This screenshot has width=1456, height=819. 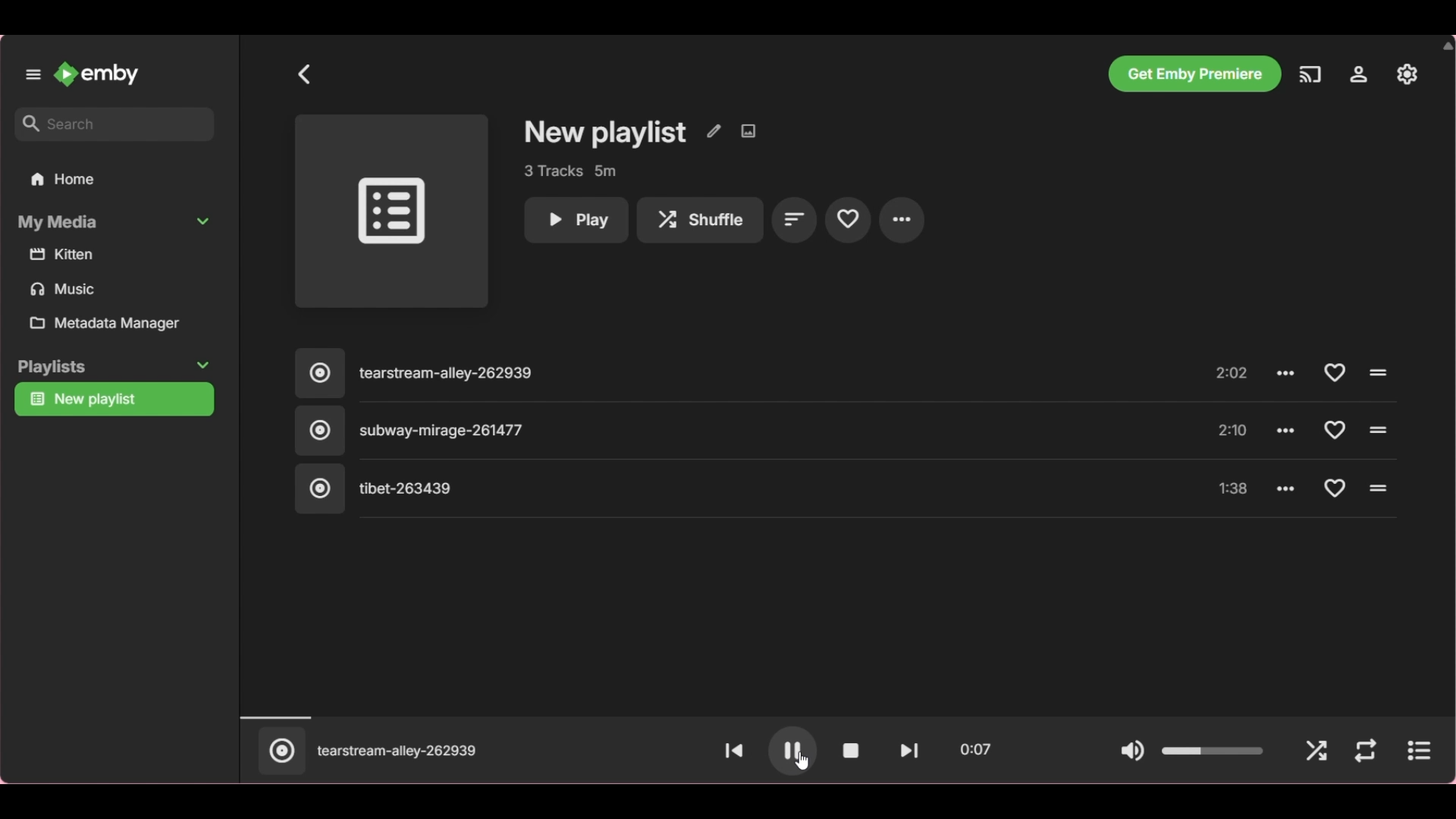 What do you see at coordinates (1407, 74) in the screenshot?
I see `Manage Emby server` at bounding box center [1407, 74].